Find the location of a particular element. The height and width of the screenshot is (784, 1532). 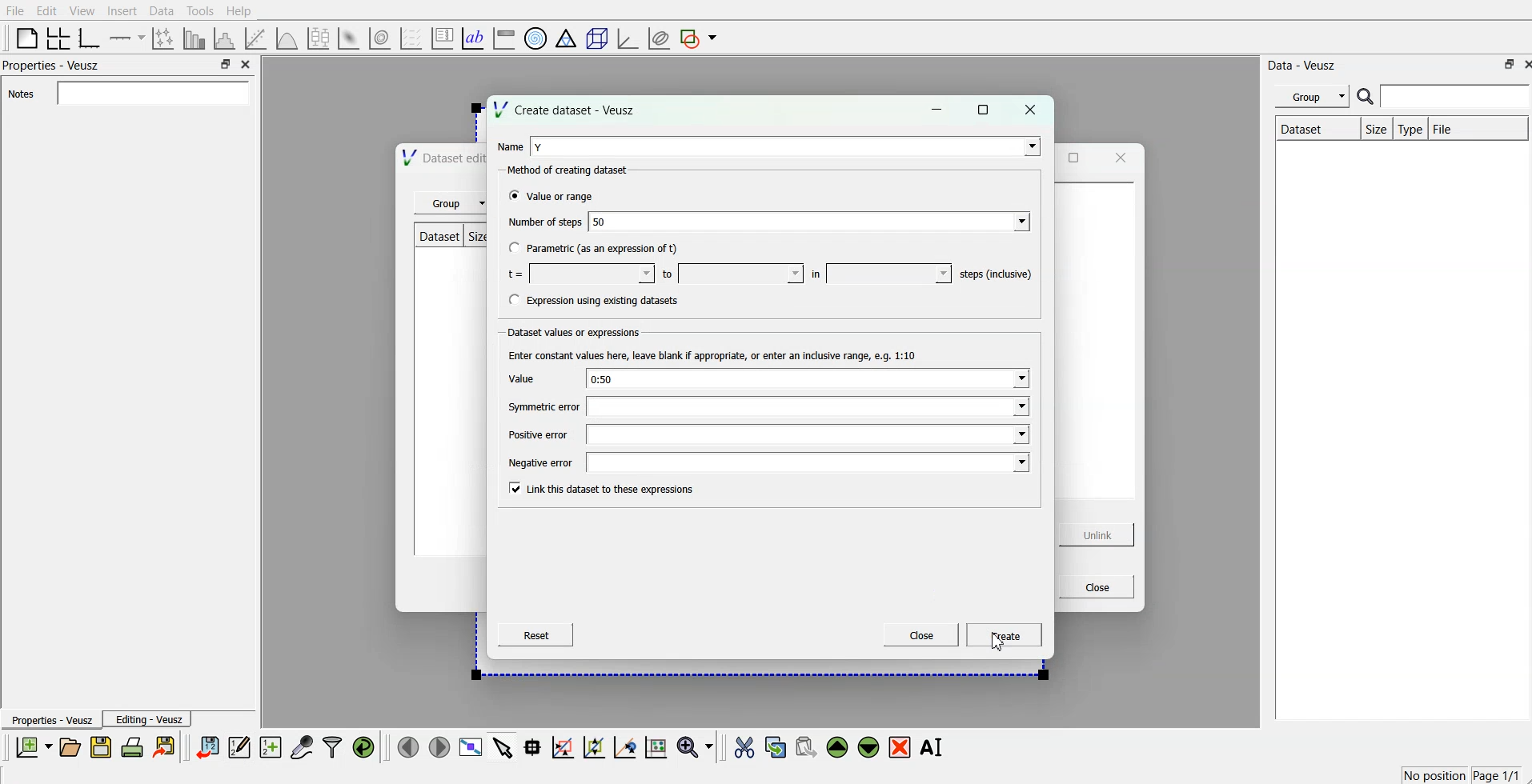

‘steps (inclusive) is located at coordinates (996, 274).